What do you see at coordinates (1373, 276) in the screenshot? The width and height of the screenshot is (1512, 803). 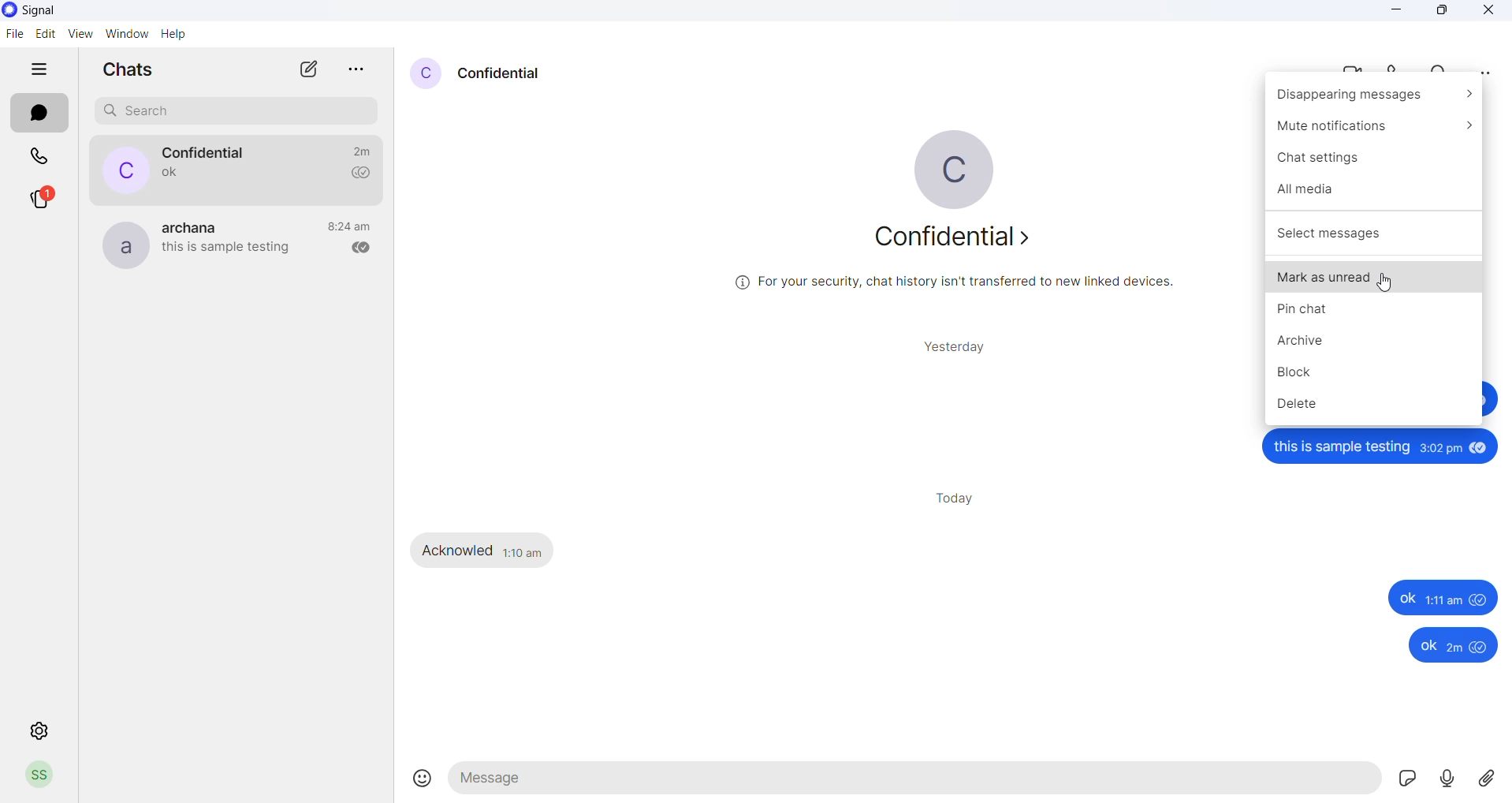 I see `mark as unread` at bounding box center [1373, 276].